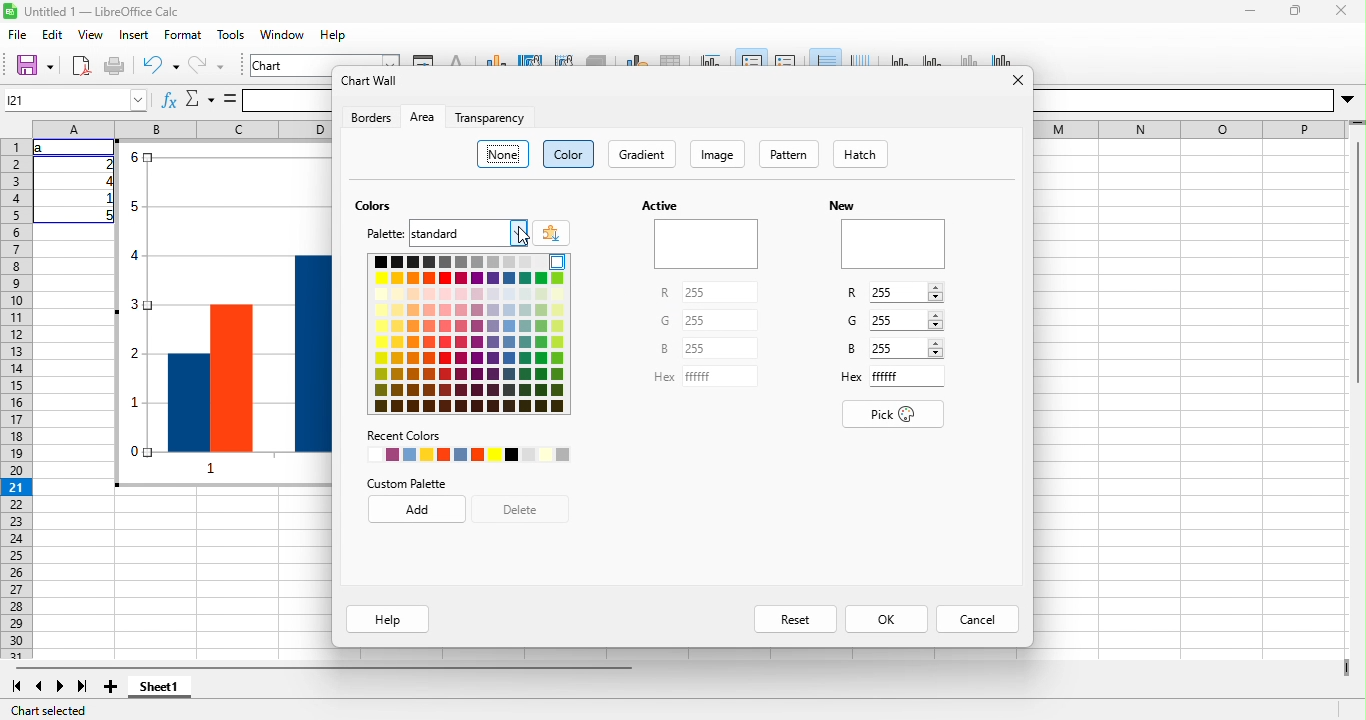 This screenshot has height=720, width=1366. I want to click on previous sheet, so click(38, 686).